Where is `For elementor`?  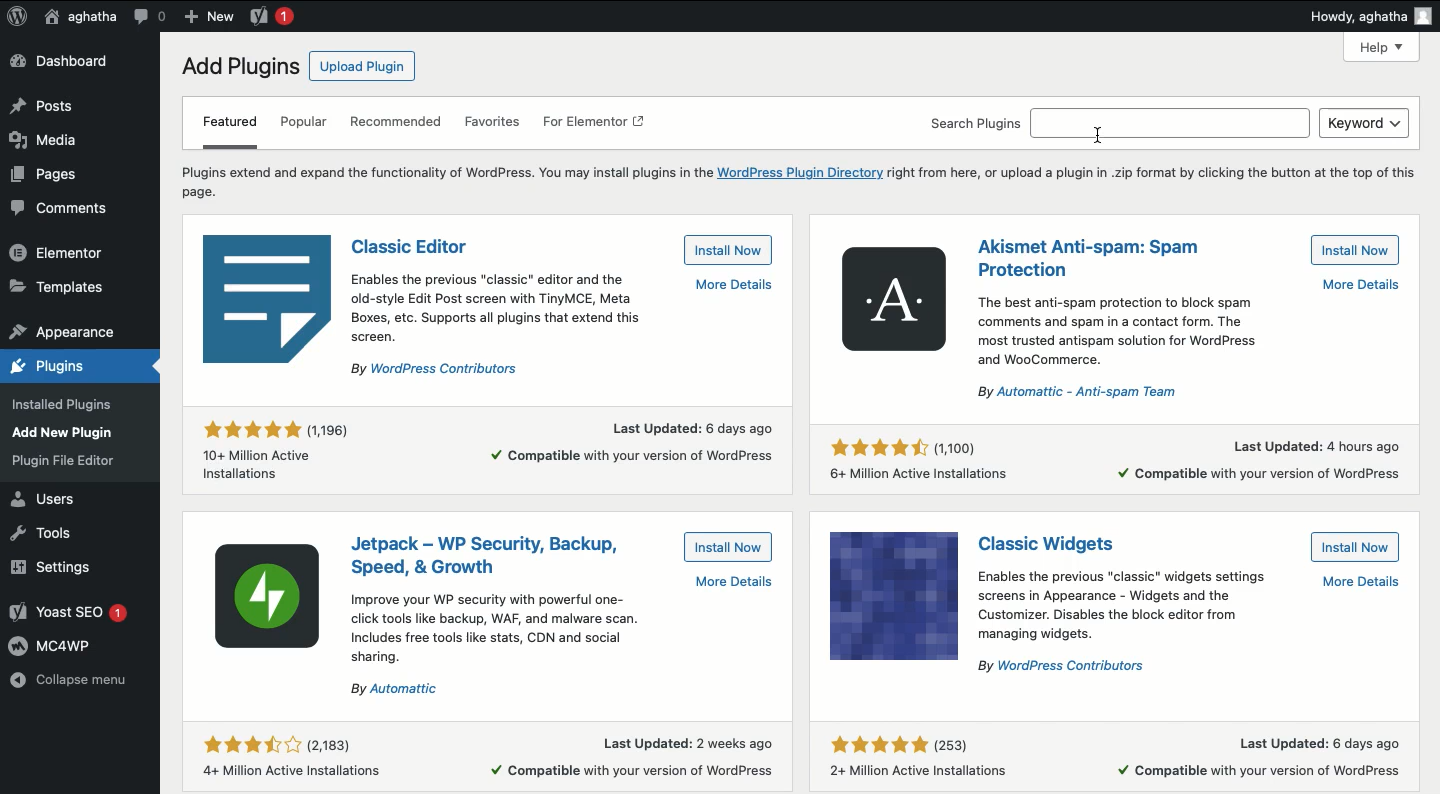
For elementor is located at coordinates (596, 125).